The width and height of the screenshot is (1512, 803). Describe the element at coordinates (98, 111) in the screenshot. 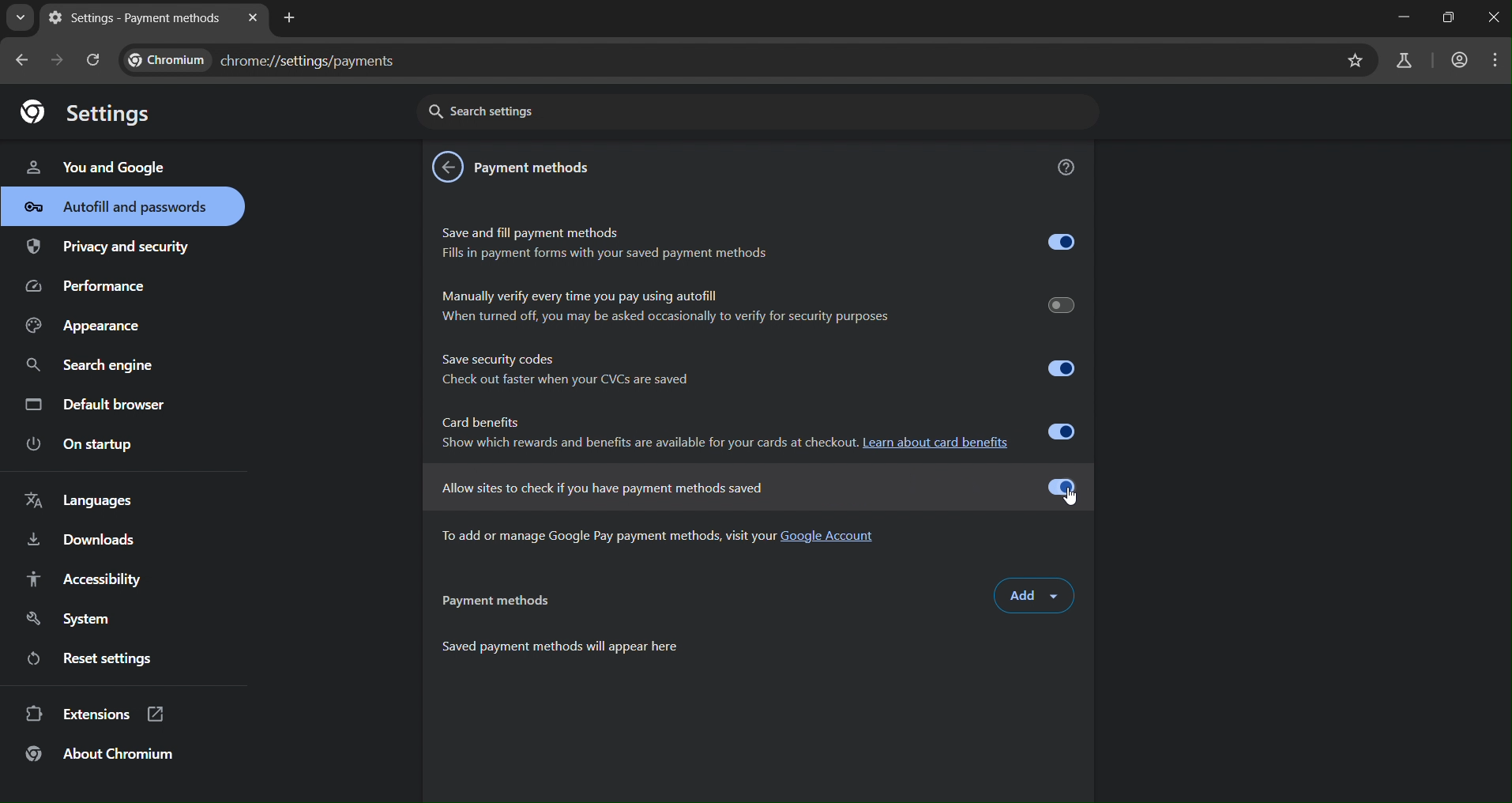

I see `settings` at that location.